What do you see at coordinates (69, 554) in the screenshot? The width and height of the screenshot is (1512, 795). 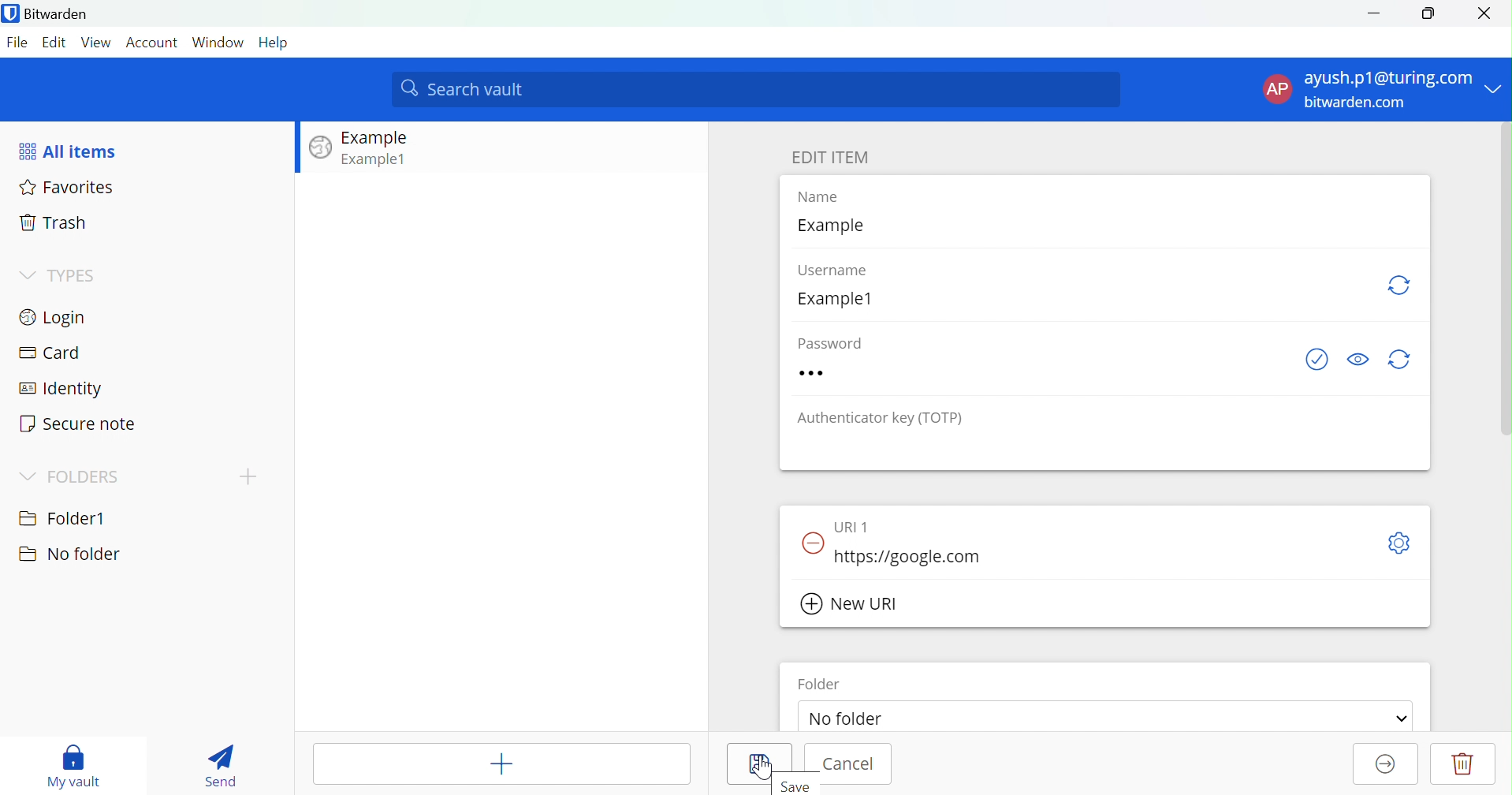 I see `No folder` at bounding box center [69, 554].